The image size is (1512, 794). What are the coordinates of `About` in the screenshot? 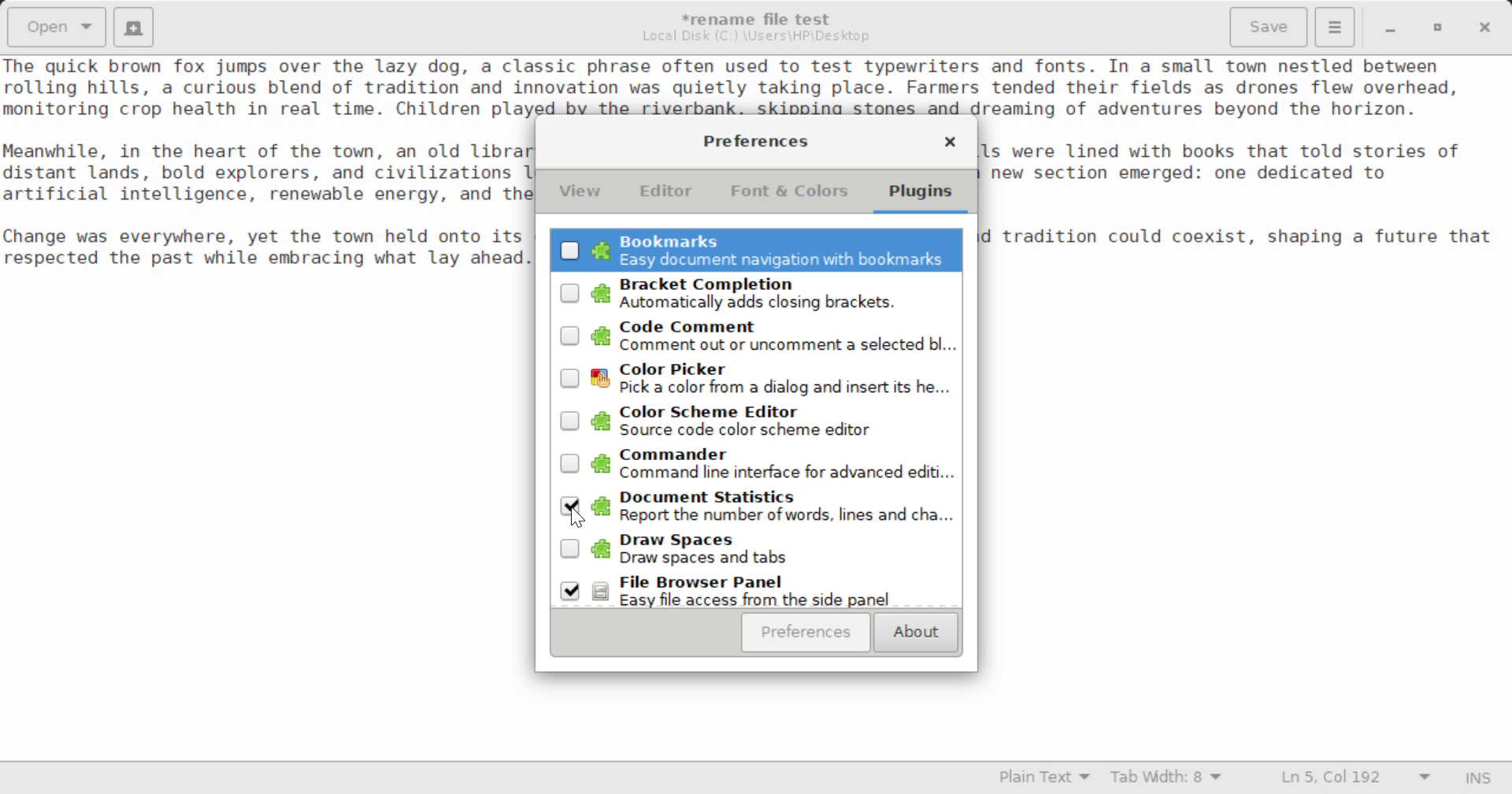 It's located at (913, 633).